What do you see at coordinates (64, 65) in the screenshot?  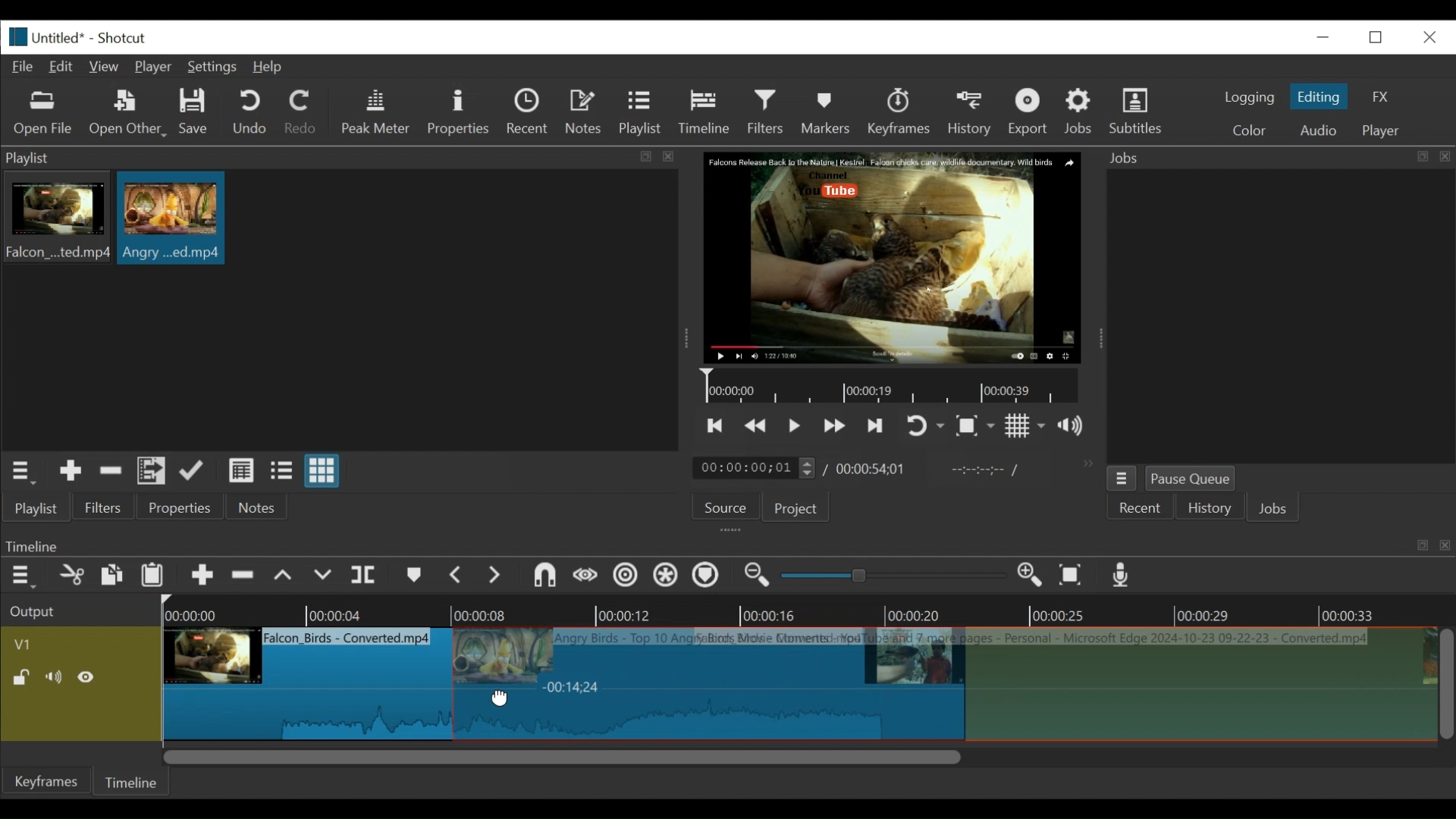 I see `Edit` at bounding box center [64, 65].